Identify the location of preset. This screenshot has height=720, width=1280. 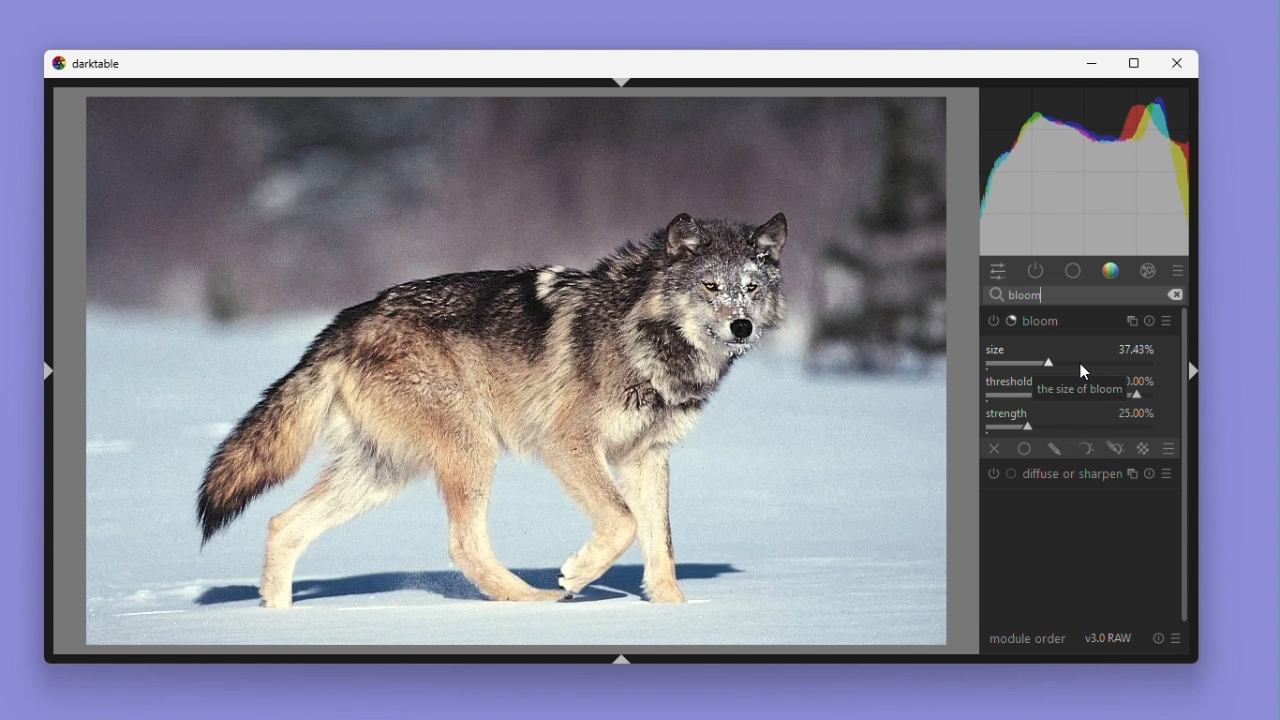
(1166, 320).